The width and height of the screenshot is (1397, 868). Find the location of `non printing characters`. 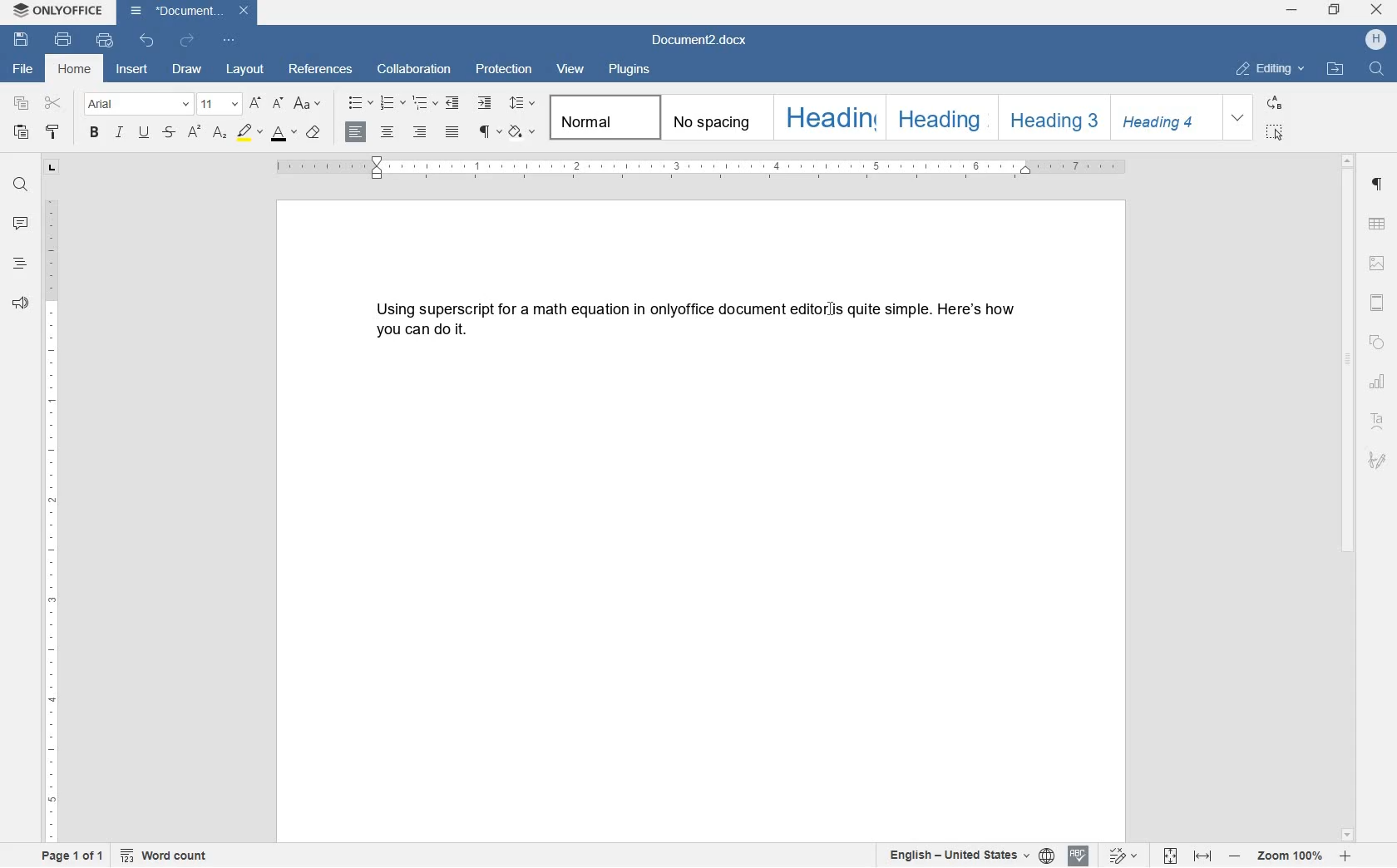

non printing characters is located at coordinates (488, 133).